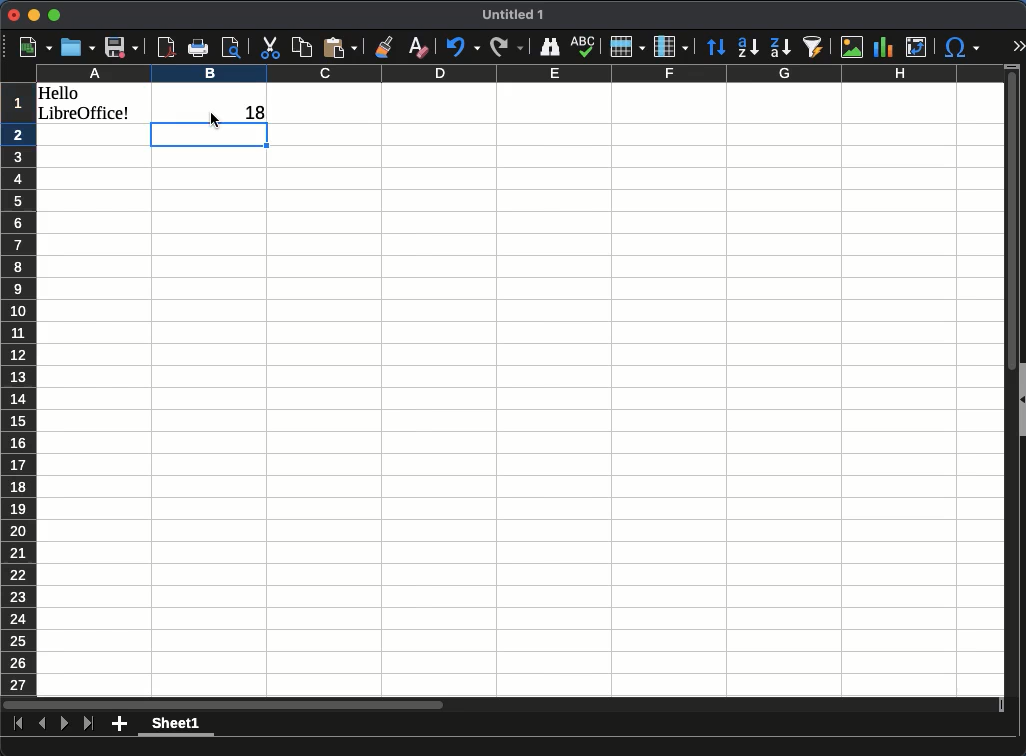 The height and width of the screenshot is (756, 1026). What do you see at coordinates (460, 44) in the screenshot?
I see `undo` at bounding box center [460, 44].